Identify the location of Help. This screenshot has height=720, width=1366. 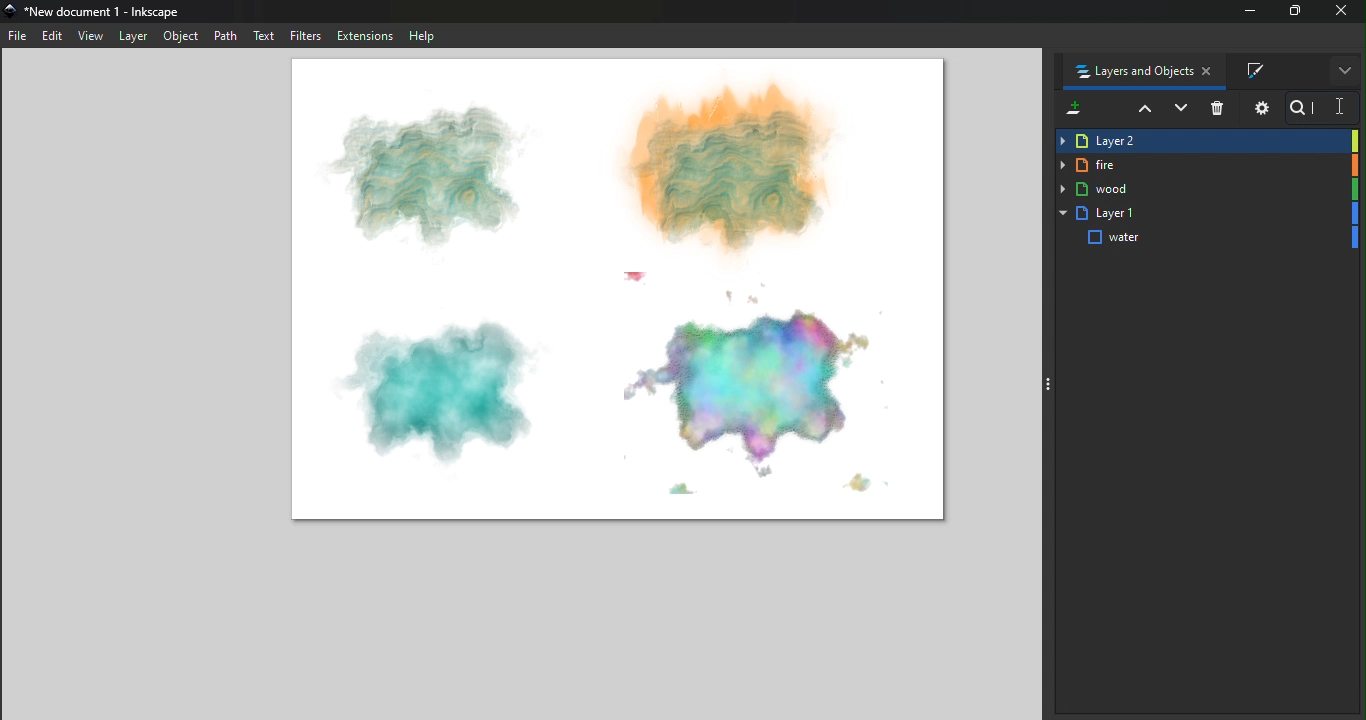
(422, 35).